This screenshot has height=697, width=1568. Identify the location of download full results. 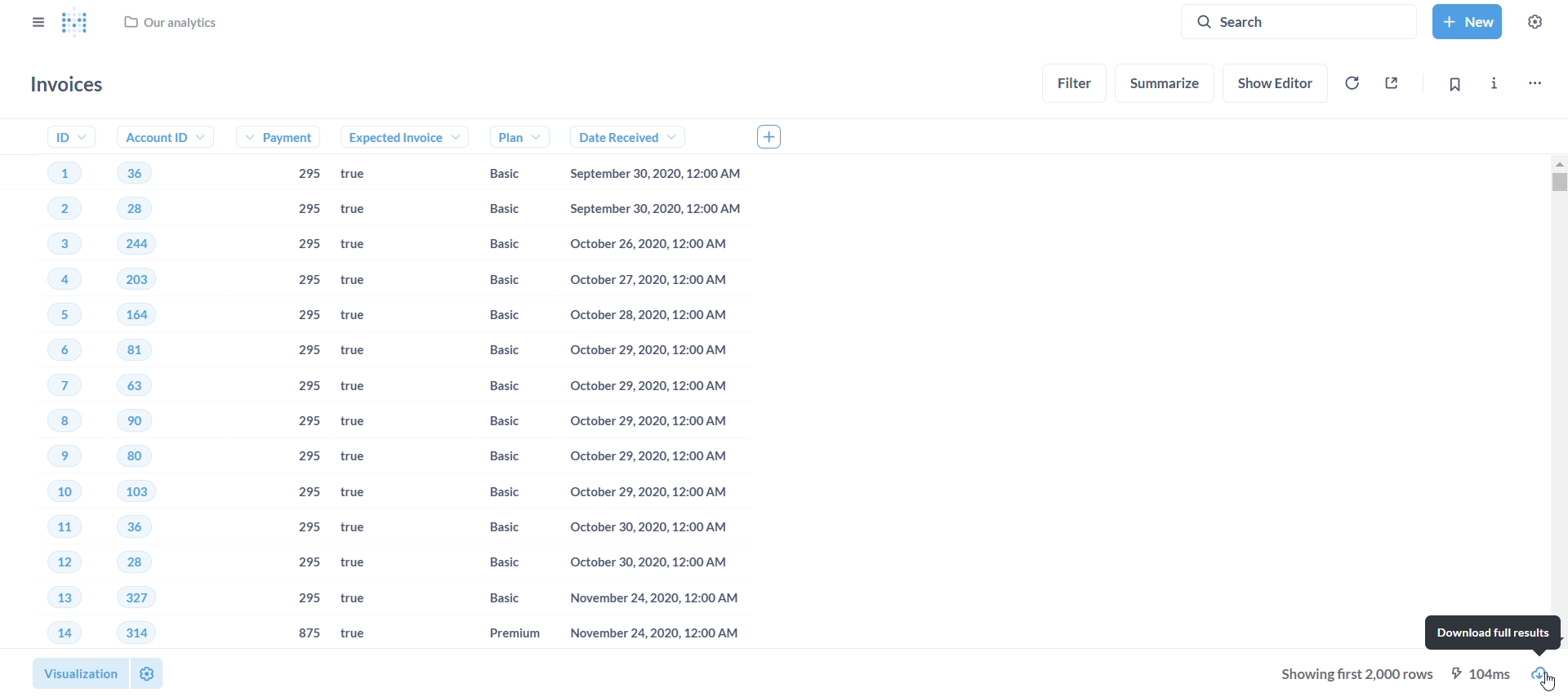
(1491, 632).